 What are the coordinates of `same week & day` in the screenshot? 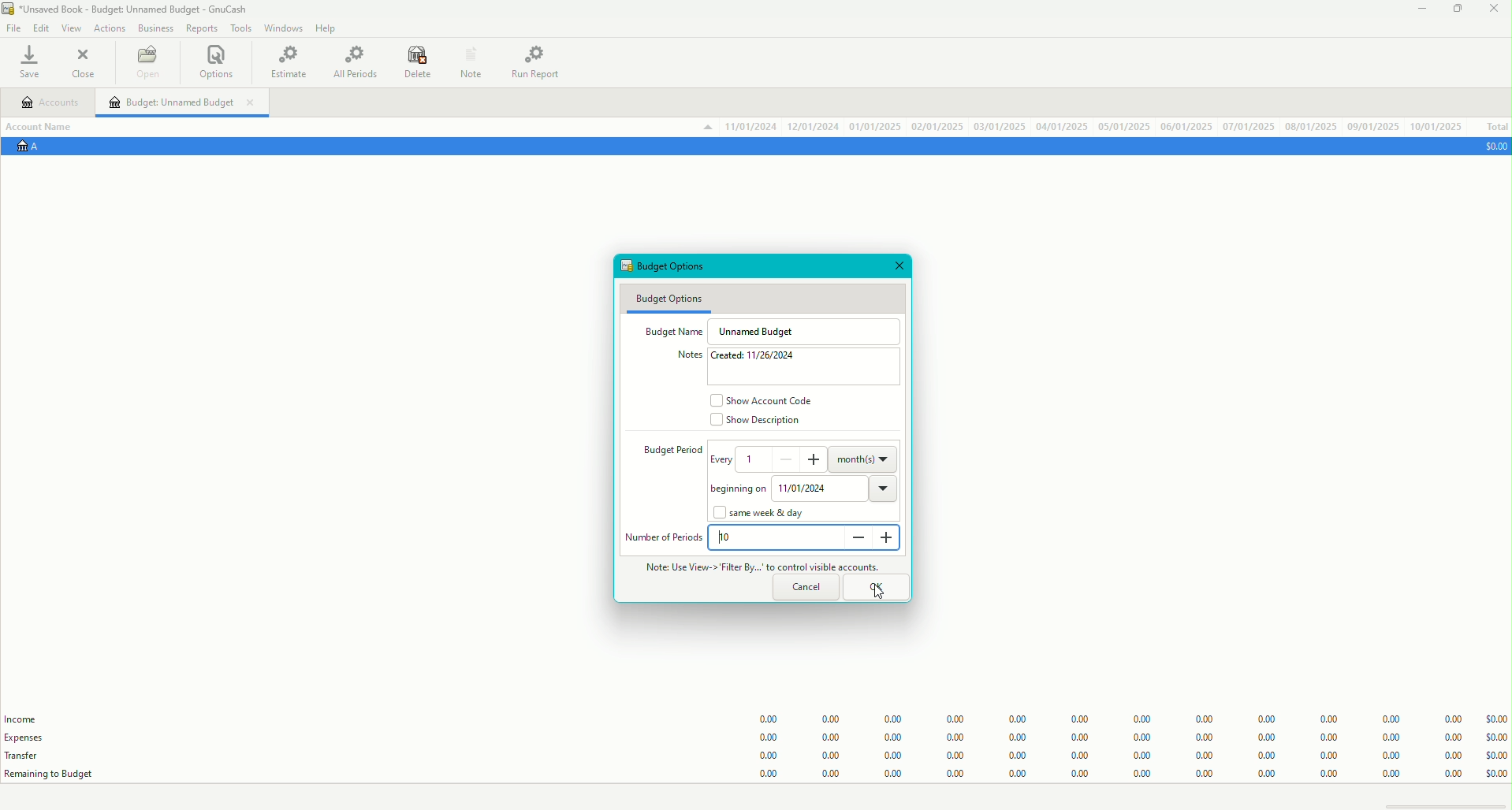 It's located at (765, 514).